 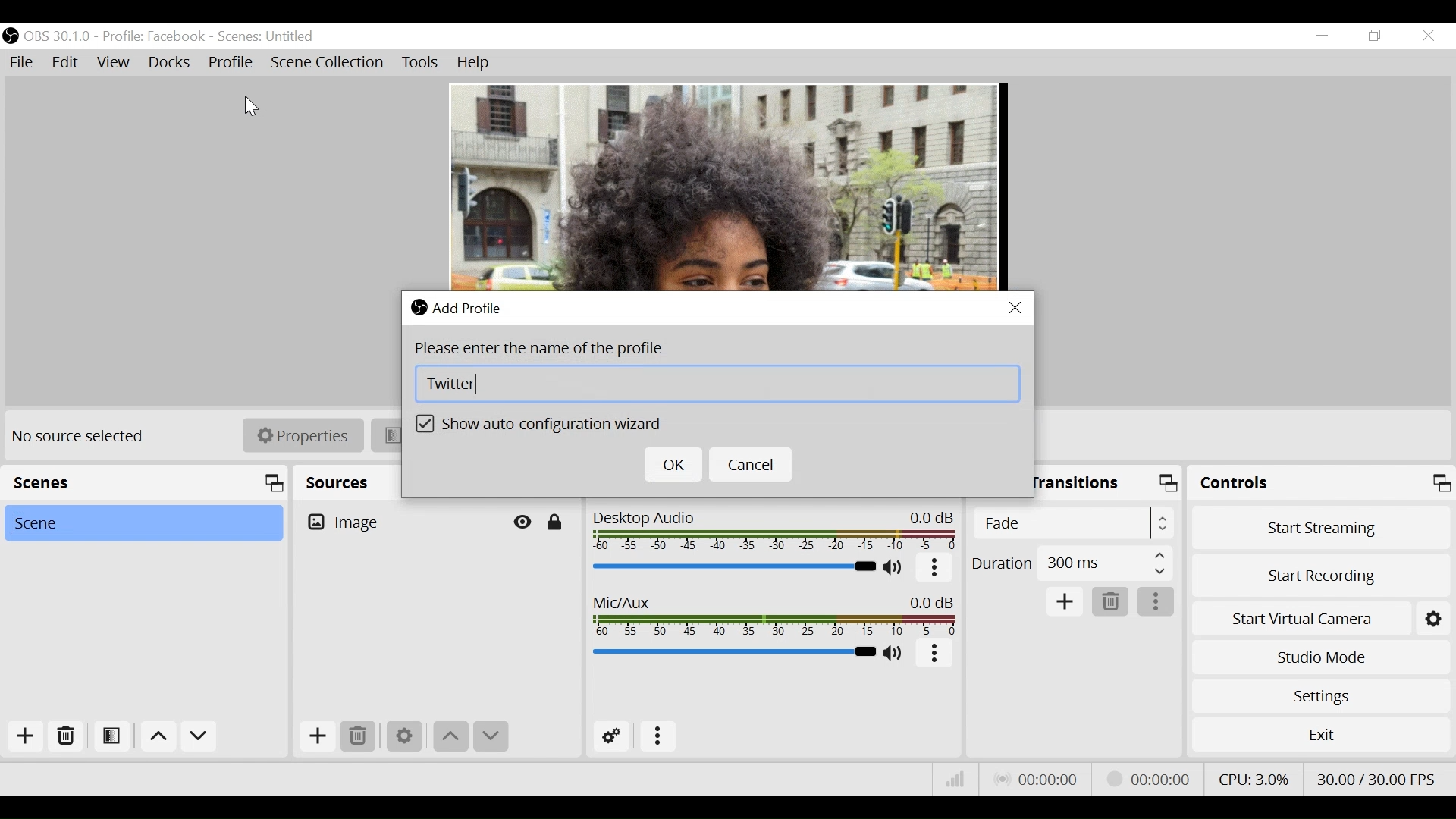 I want to click on File, so click(x=24, y=63).